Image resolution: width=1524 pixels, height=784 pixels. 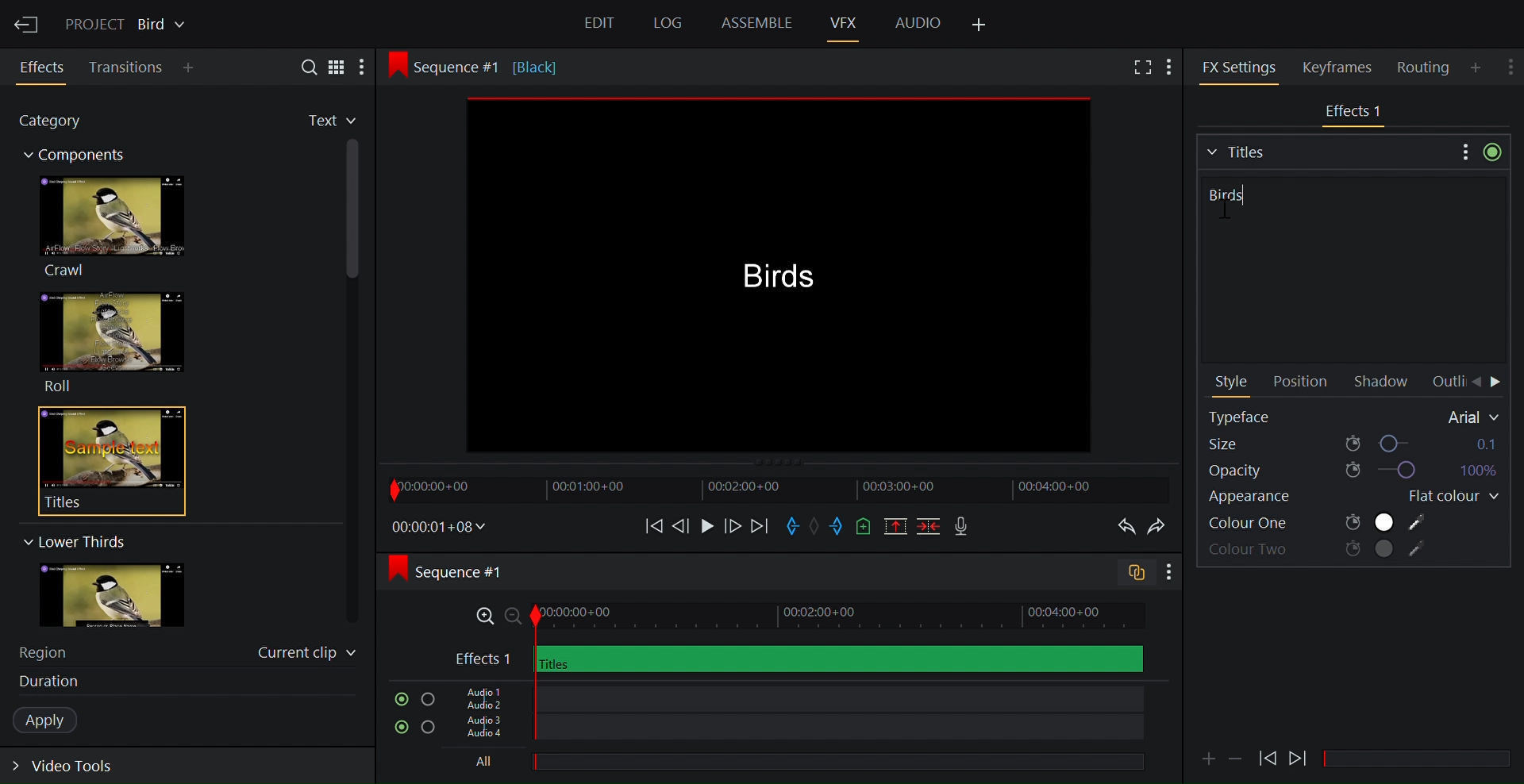 I want to click on Crawl, so click(x=110, y=226).